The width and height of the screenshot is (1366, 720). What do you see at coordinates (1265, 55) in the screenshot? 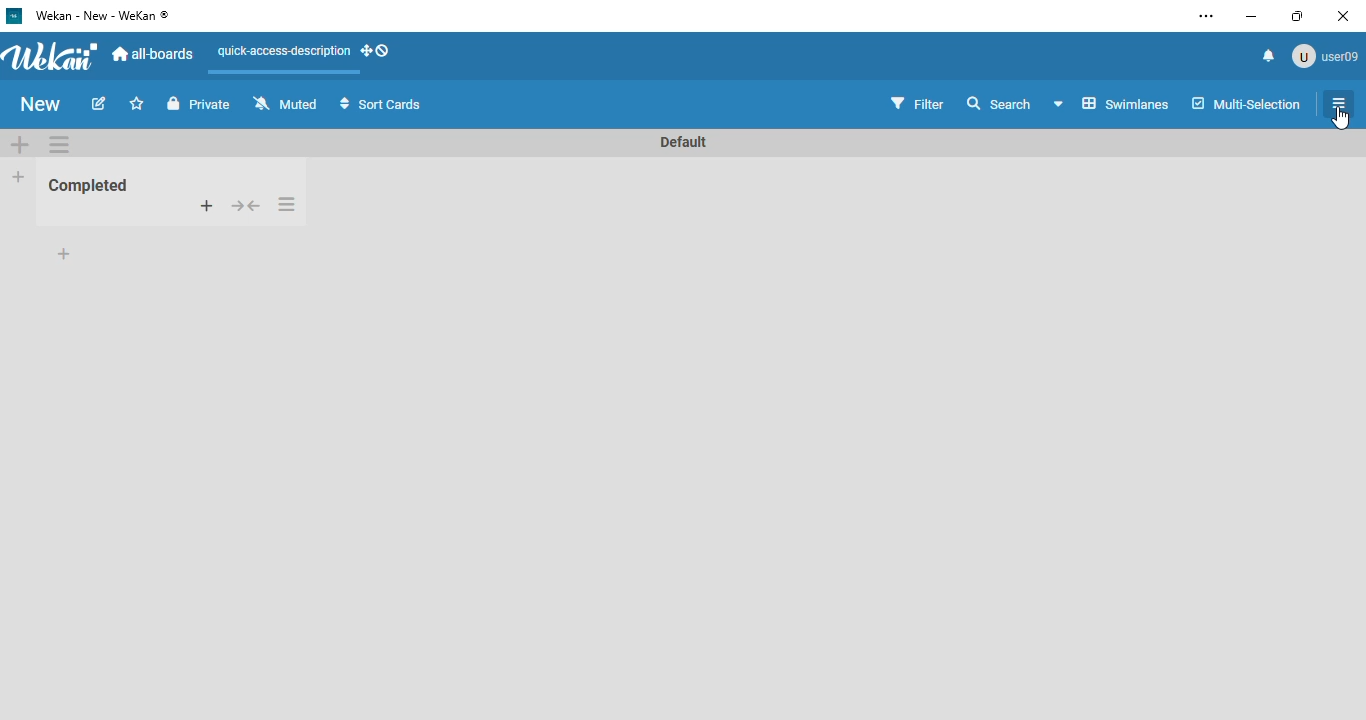
I see `notifications` at bounding box center [1265, 55].